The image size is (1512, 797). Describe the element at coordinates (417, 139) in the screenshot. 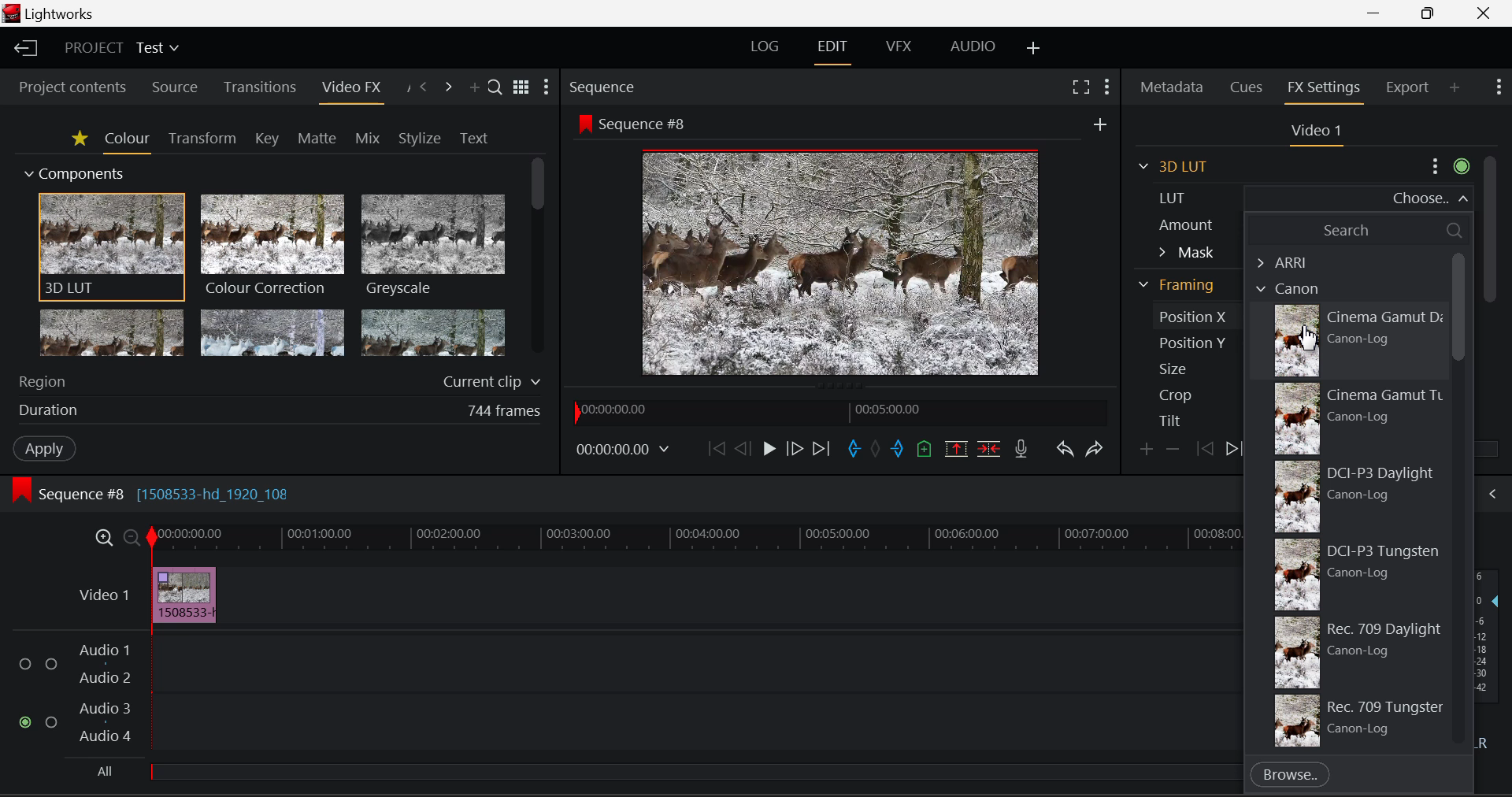

I see `Stylize` at that location.